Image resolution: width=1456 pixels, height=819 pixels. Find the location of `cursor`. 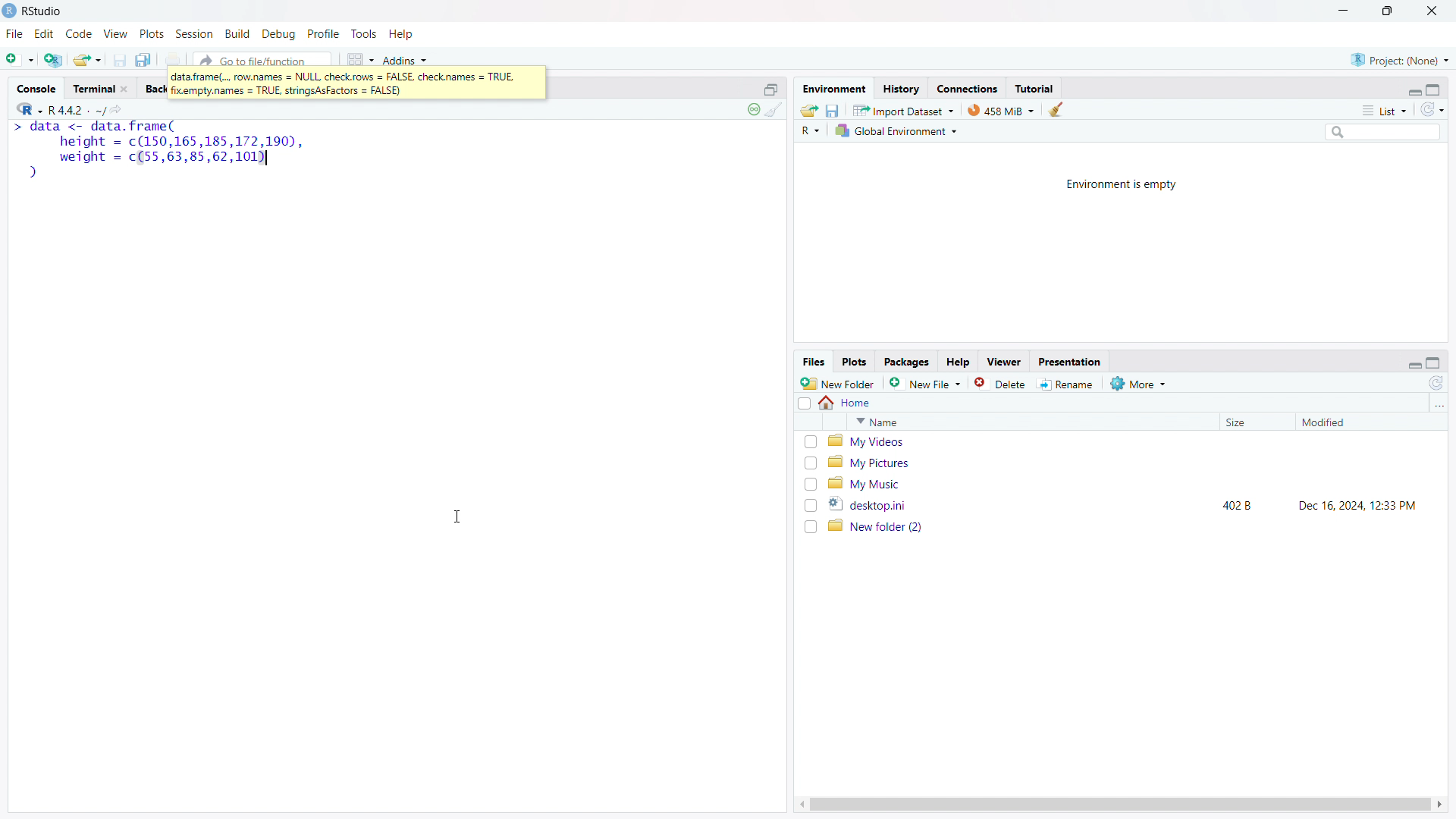

cursor is located at coordinates (457, 517).